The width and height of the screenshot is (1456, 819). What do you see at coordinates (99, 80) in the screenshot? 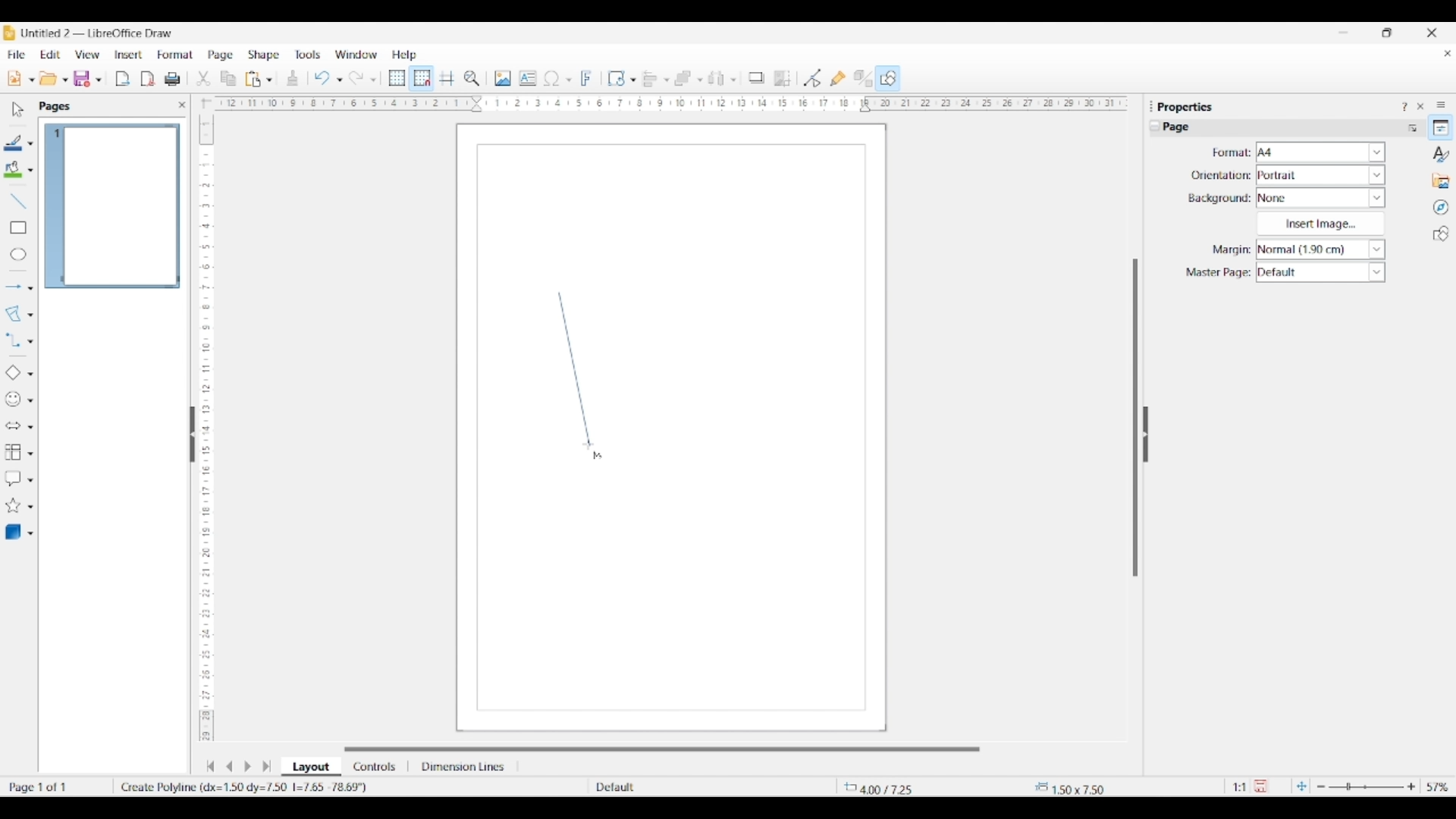
I see `Save options` at bounding box center [99, 80].